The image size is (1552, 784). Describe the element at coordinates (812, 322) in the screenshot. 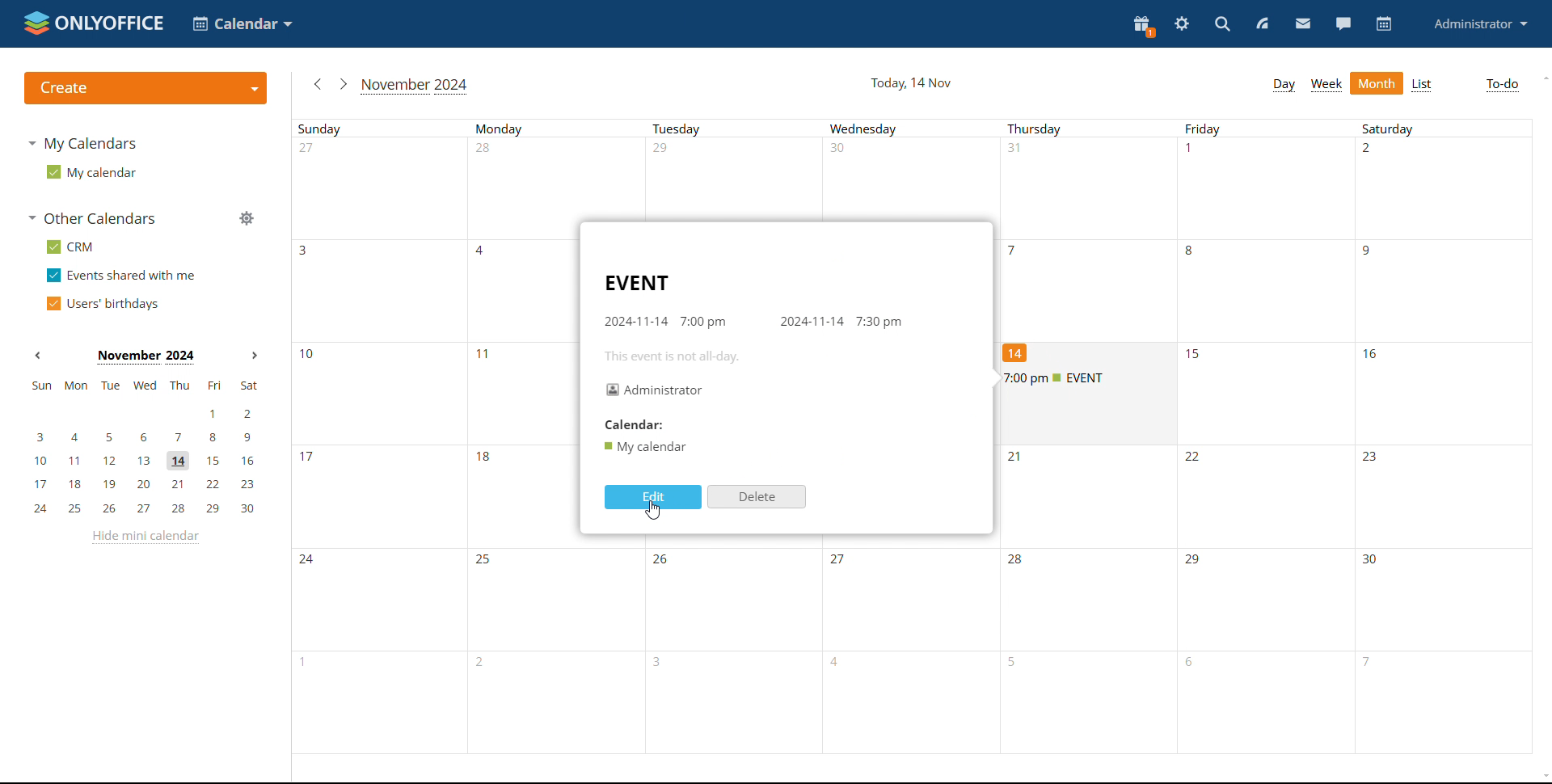

I see `end date` at that location.